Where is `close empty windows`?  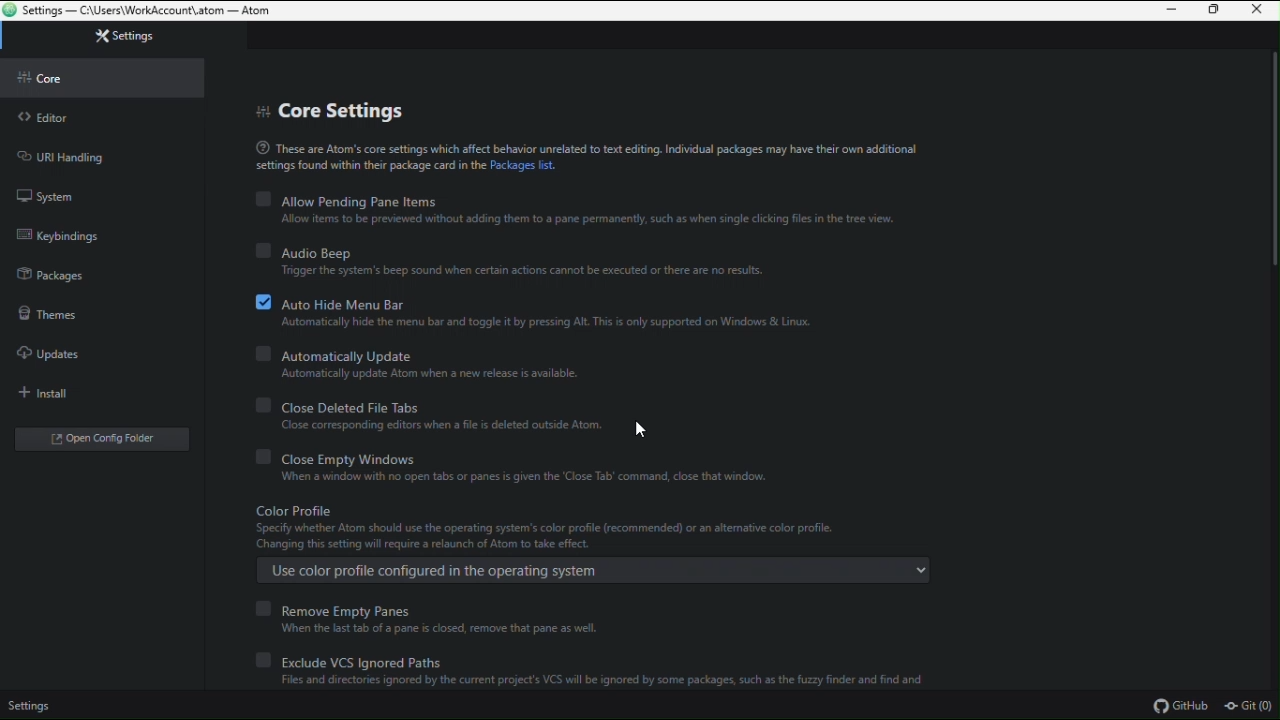 close empty windows is located at coordinates (525, 455).